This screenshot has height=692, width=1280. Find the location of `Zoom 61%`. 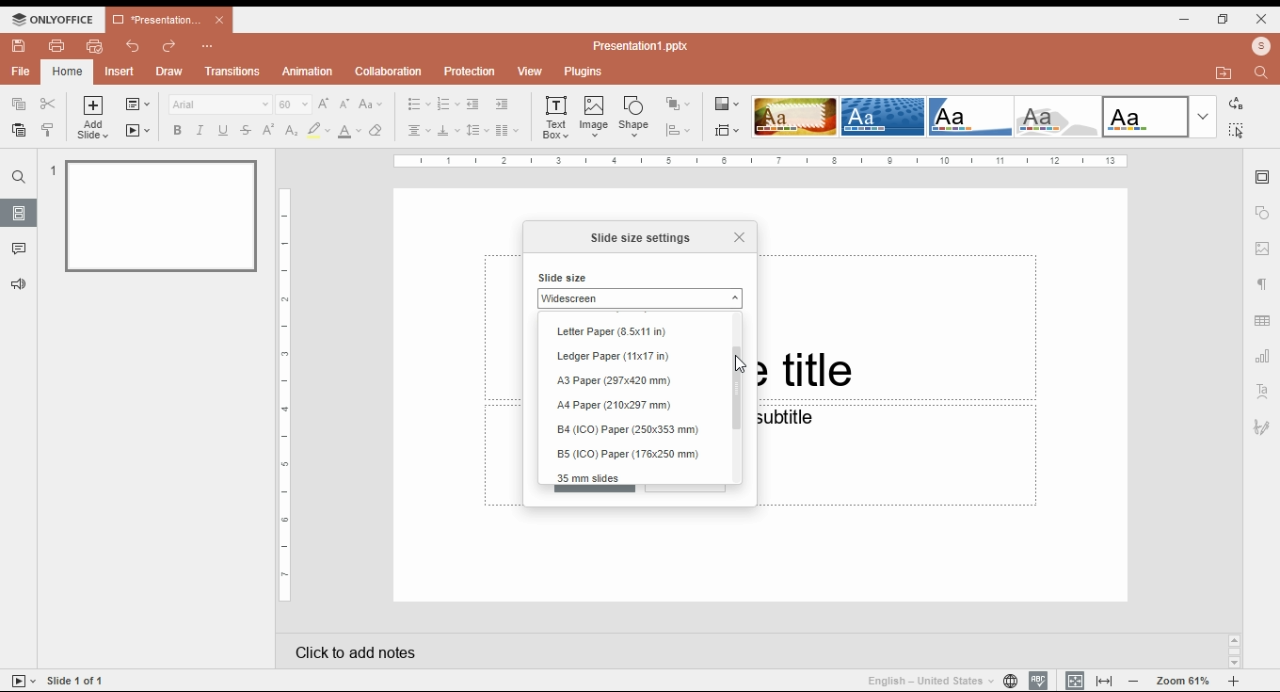

Zoom 61% is located at coordinates (1185, 679).